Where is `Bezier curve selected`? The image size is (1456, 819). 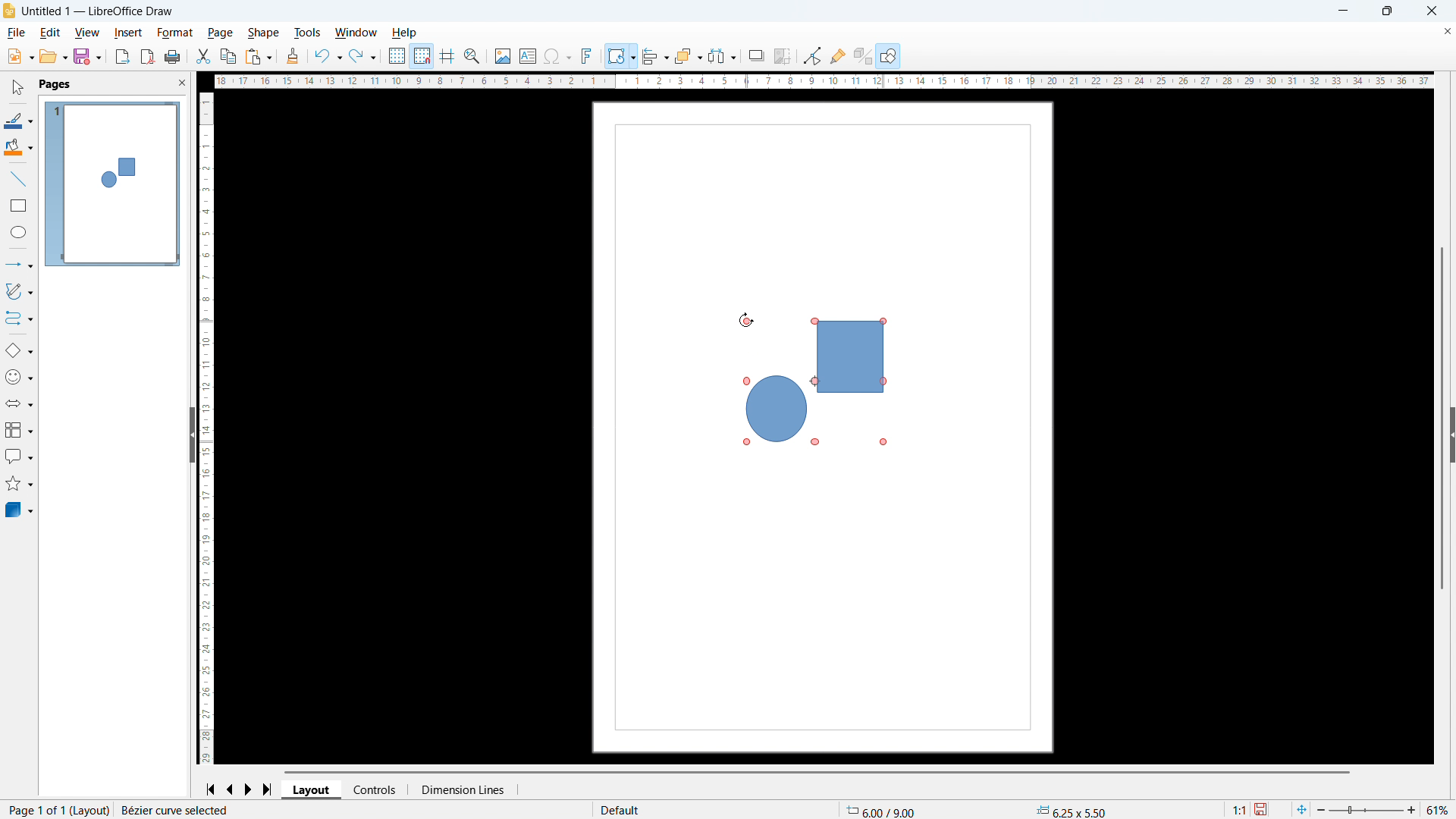
Bezier curve selected is located at coordinates (187, 810).